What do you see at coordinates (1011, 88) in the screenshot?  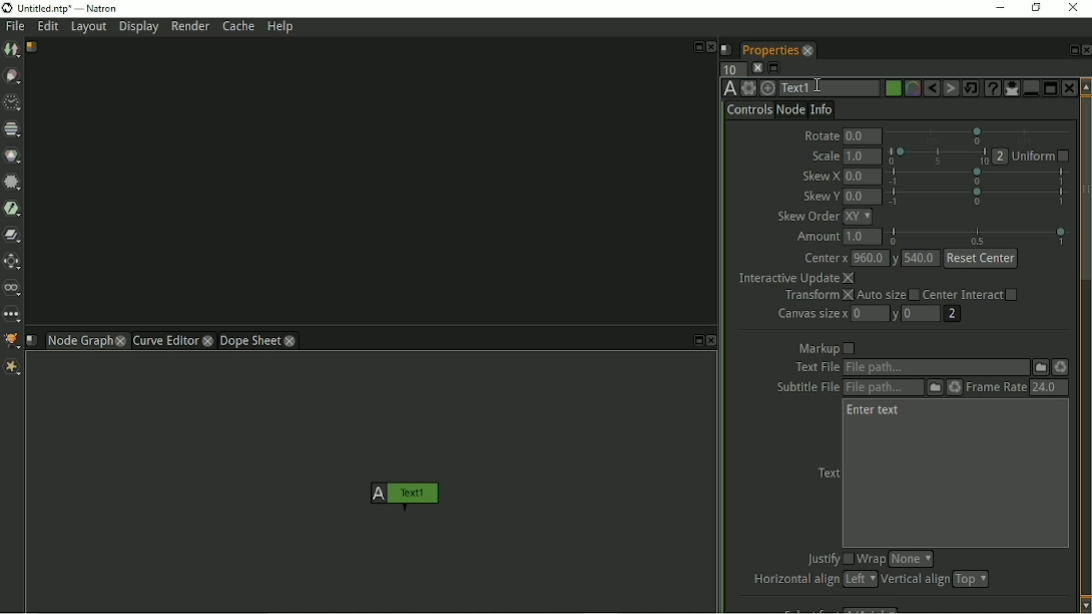 I see `Show/hide all parameters` at bounding box center [1011, 88].